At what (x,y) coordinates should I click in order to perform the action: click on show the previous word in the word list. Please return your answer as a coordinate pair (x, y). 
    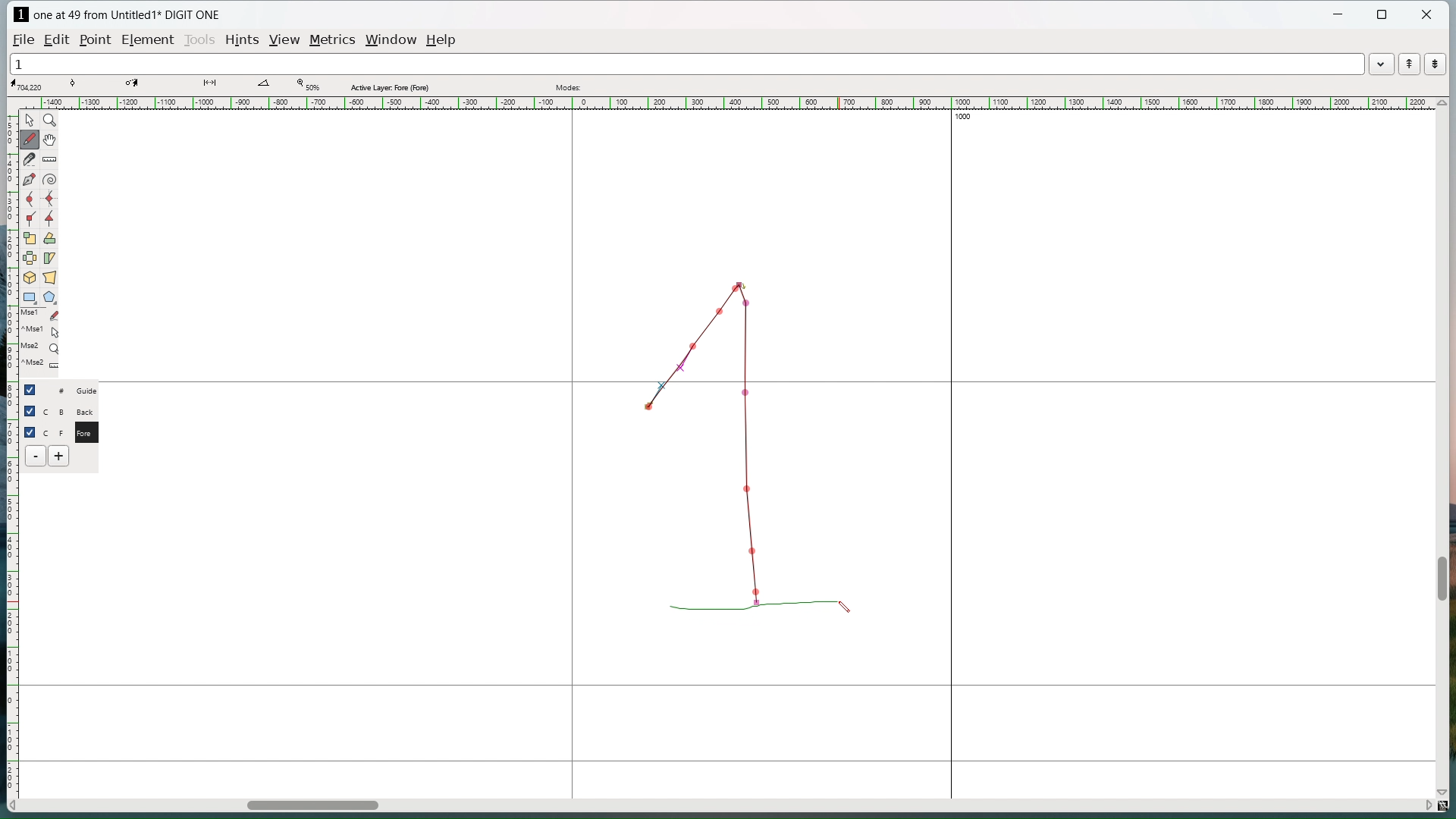
    Looking at the image, I should click on (1409, 64).